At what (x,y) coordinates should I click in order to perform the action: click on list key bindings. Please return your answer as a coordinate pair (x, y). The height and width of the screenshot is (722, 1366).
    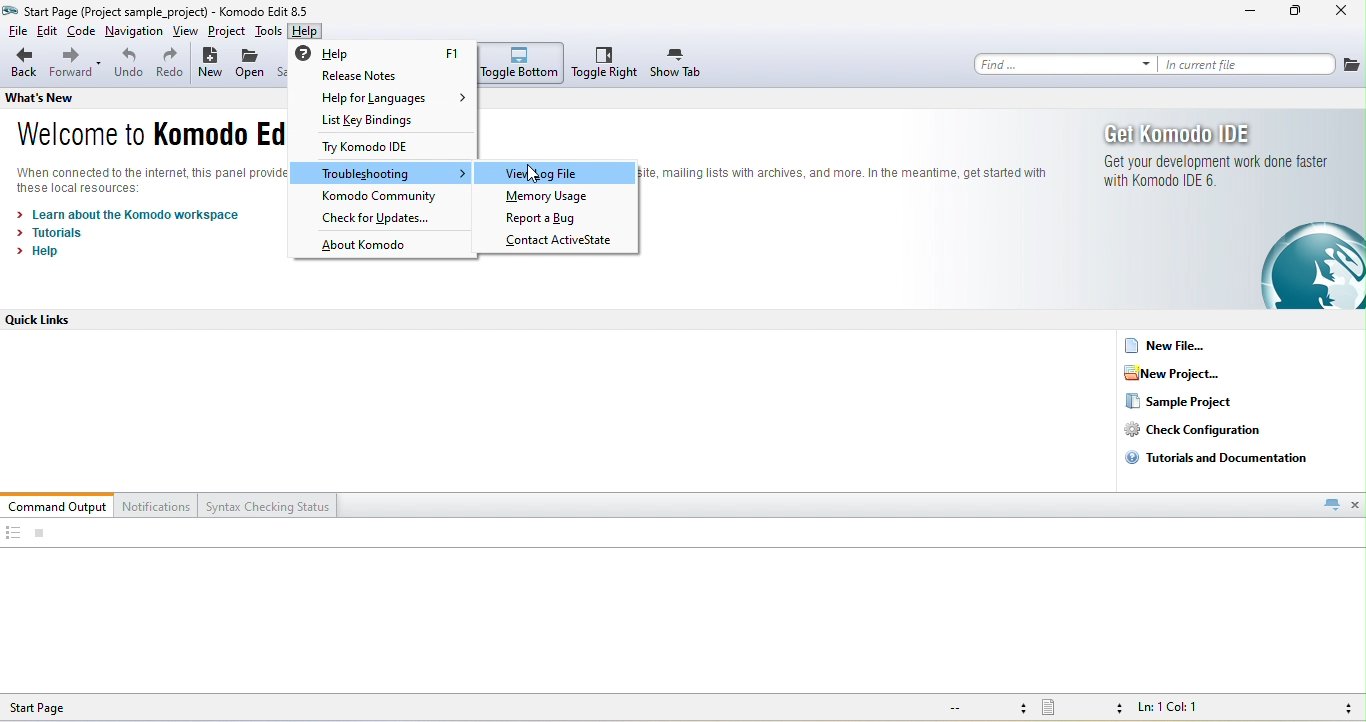
    Looking at the image, I should click on (388, 121).